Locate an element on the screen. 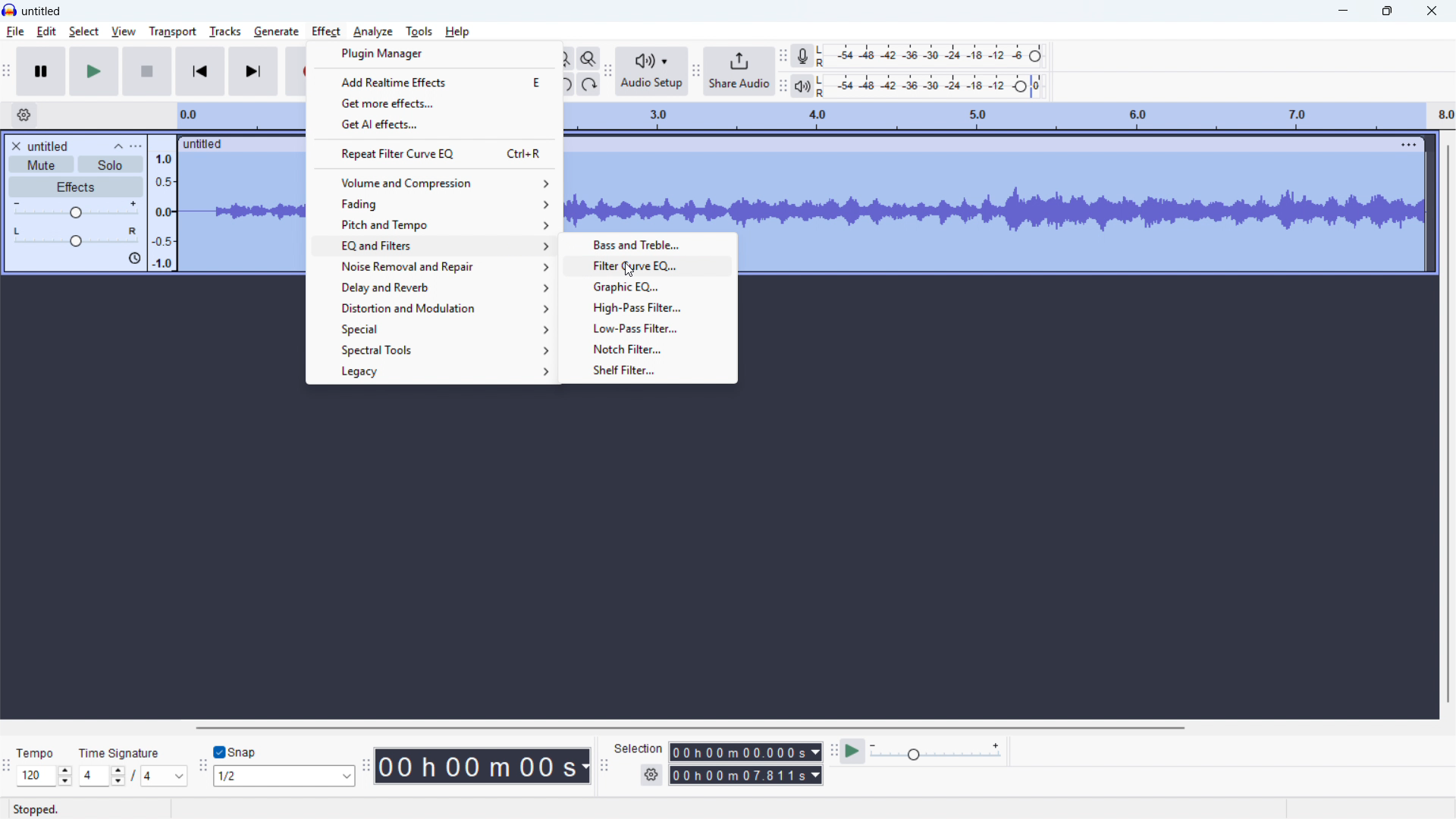 This screenshot has height=819, width=1456. cursor  is located at coordinates (630, 271).